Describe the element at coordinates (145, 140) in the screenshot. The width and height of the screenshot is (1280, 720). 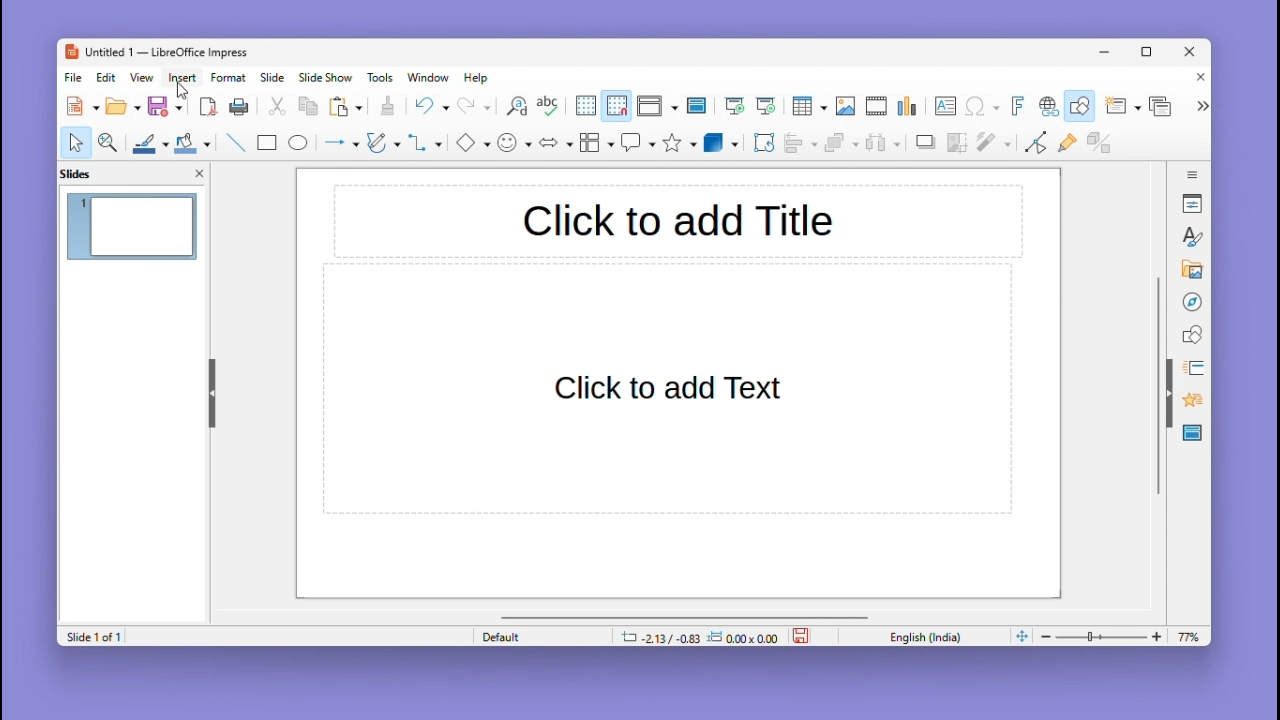
I see `Brush` at that location.